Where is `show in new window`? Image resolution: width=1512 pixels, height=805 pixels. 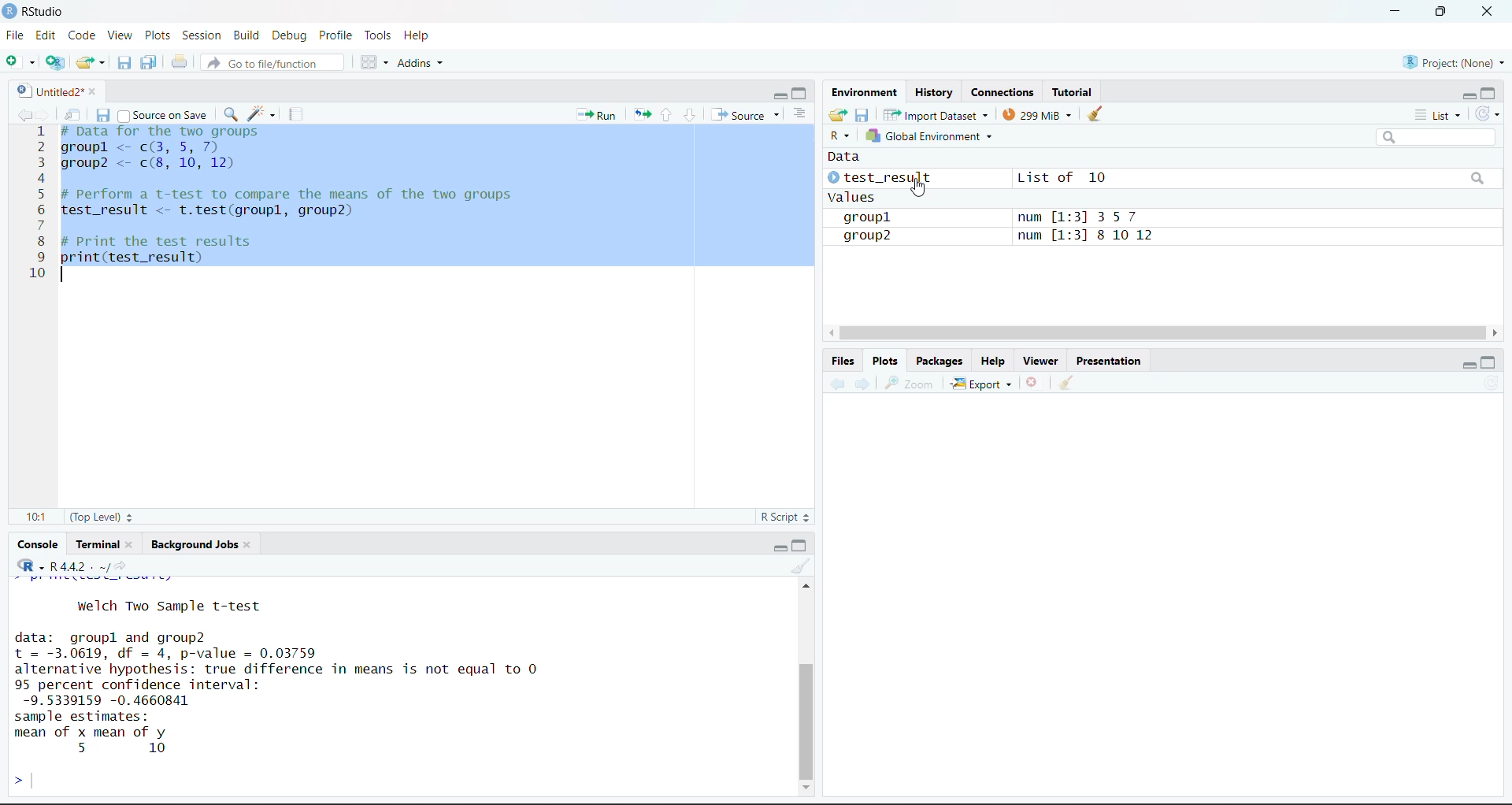 show in new window is located at coordinates (75, 116).